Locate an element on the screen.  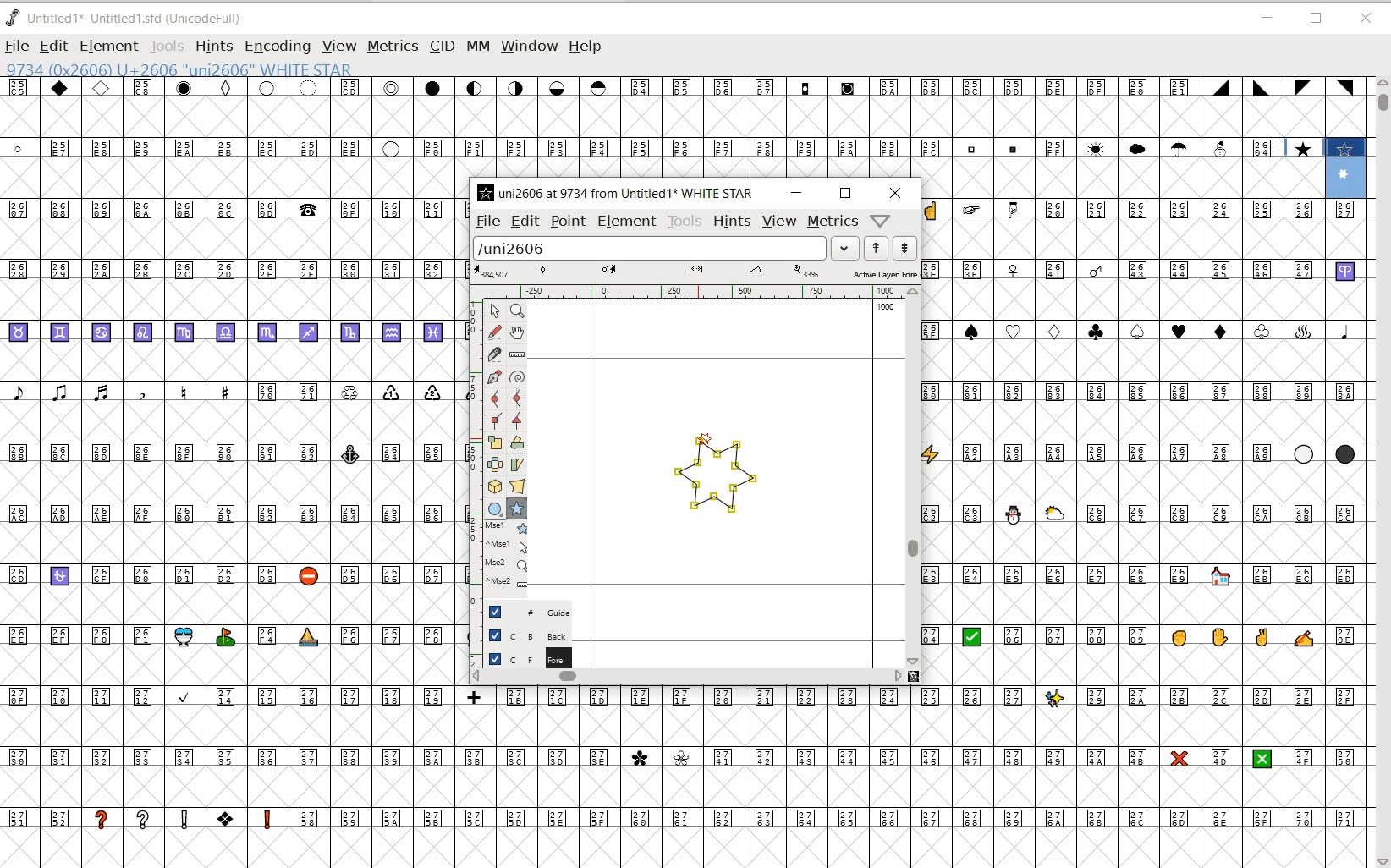
TOOLS is located at coordinates (684, 222).